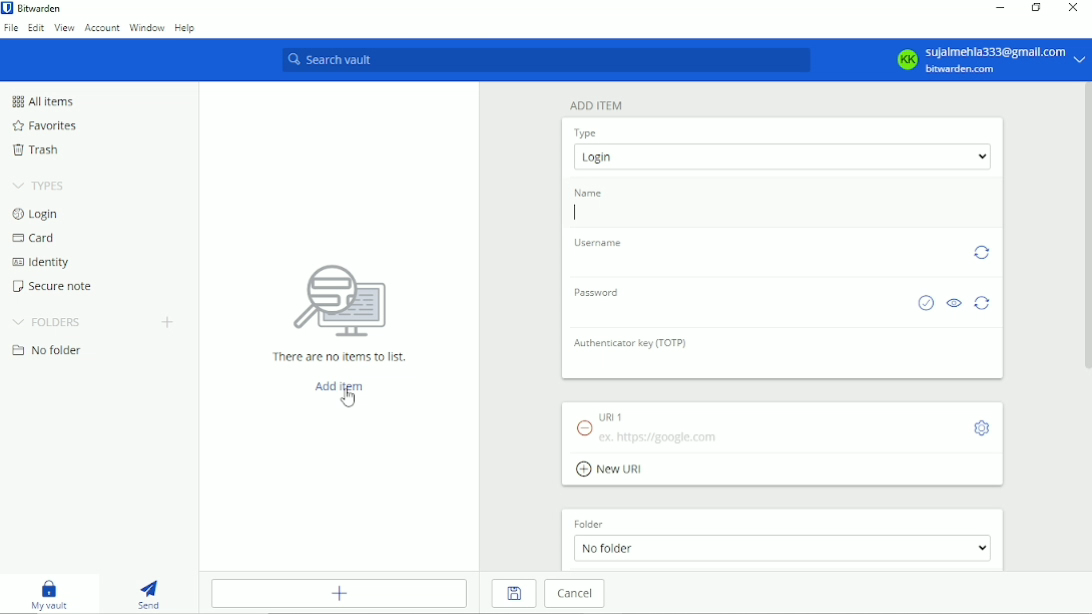 Image resolution: width=1092 pixels, height=614 pixels. What do you see at coordinates (784, 364) in the screenshot?
I see `add authenticator key` at bounding box center [784, 364].